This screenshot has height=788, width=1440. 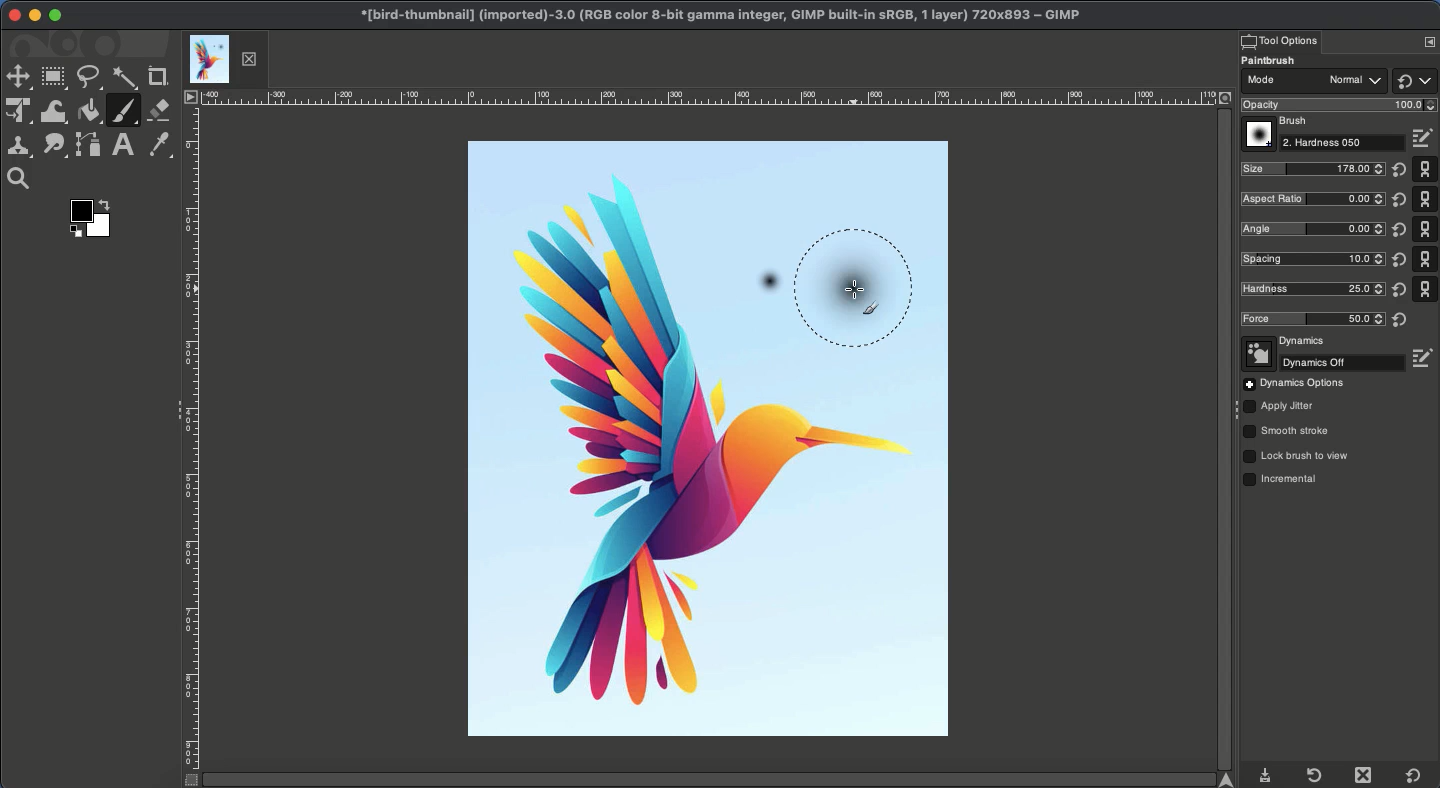 I want to click on Brush, so click(x=1278, y=122).